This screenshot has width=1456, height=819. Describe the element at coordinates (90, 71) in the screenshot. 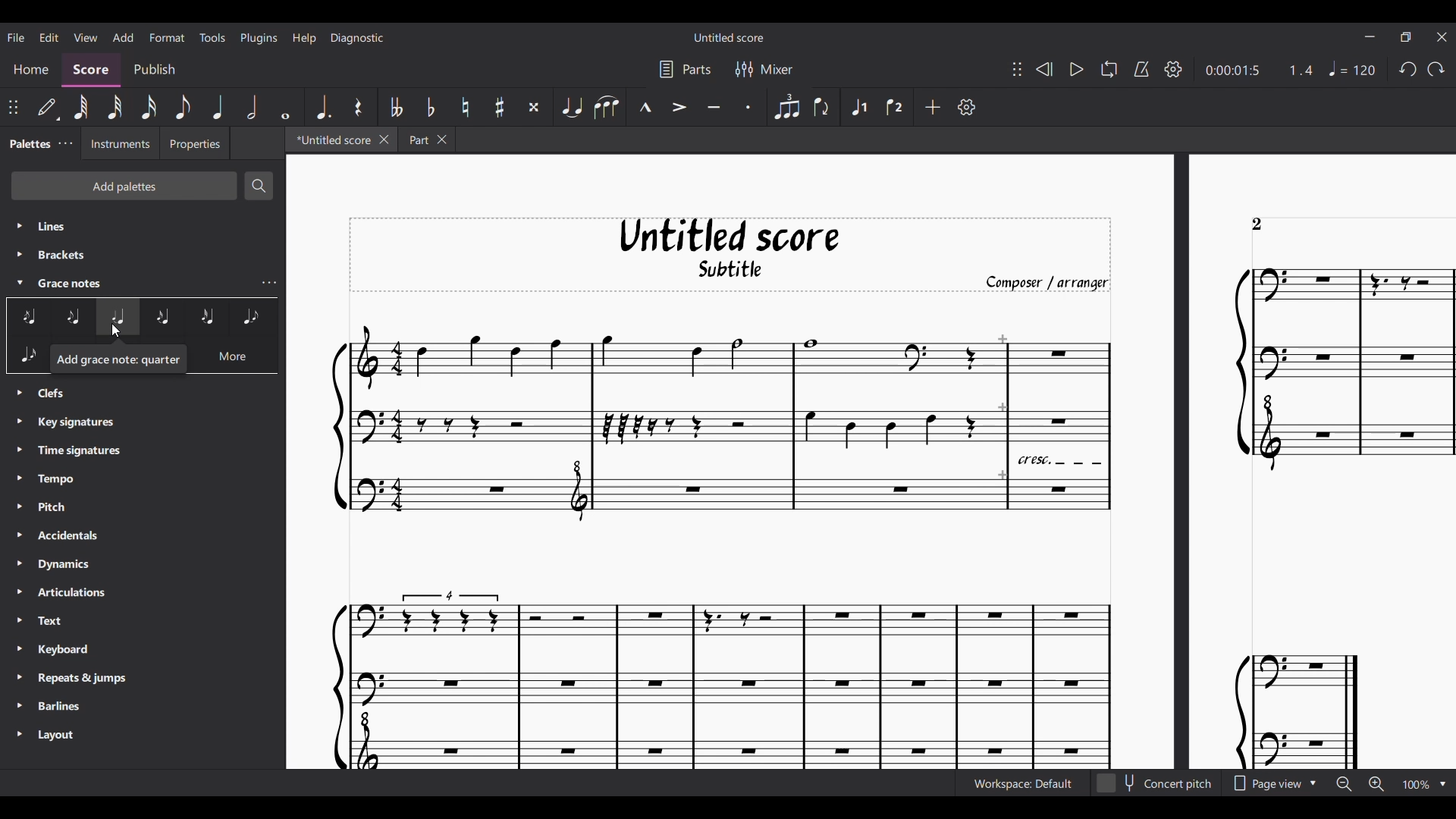

I see `Score, current section highlighted` at that location.